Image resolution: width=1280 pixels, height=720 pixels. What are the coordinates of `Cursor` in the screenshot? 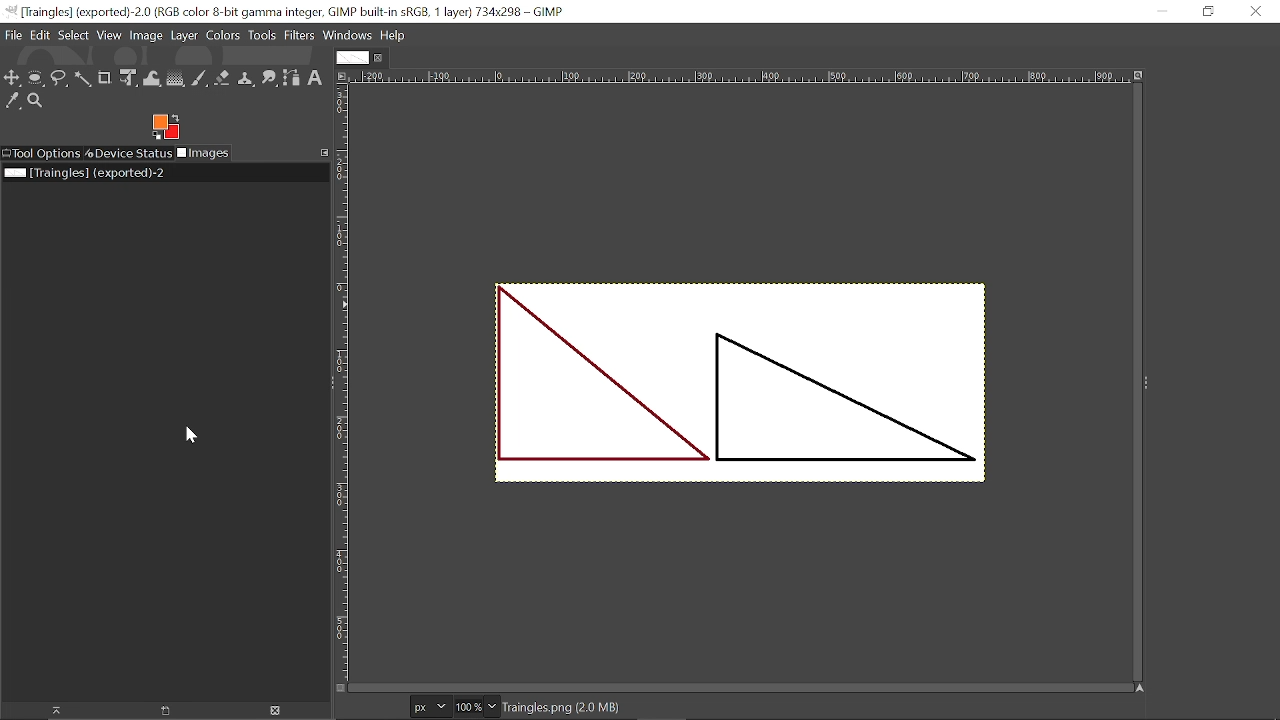 It's located at (191, 436).